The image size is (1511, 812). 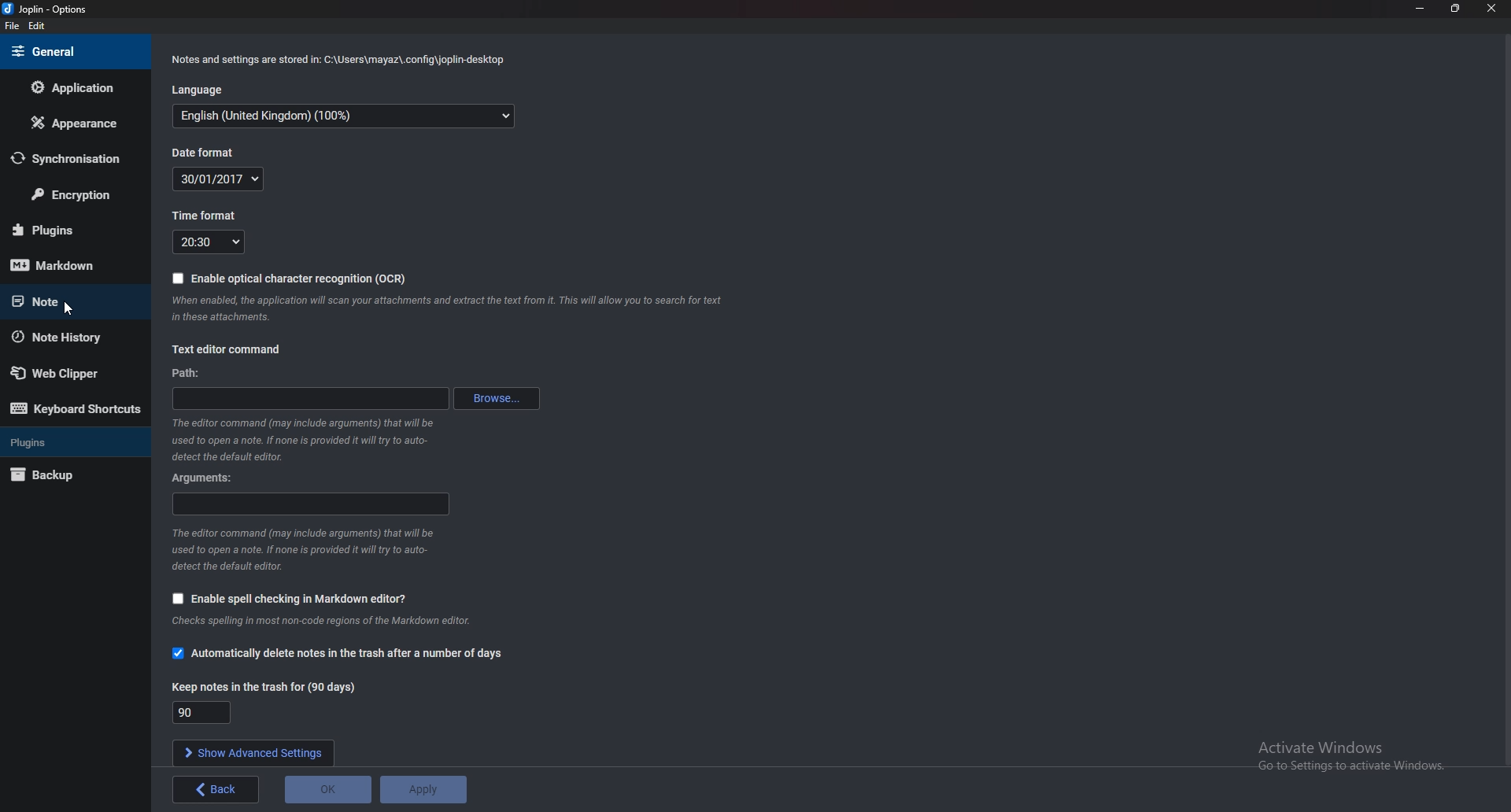 What do you see at coordinates (74, 410) in the screenshot?
I see `Keyboard shortcuts` at bounding box center [74, 410].